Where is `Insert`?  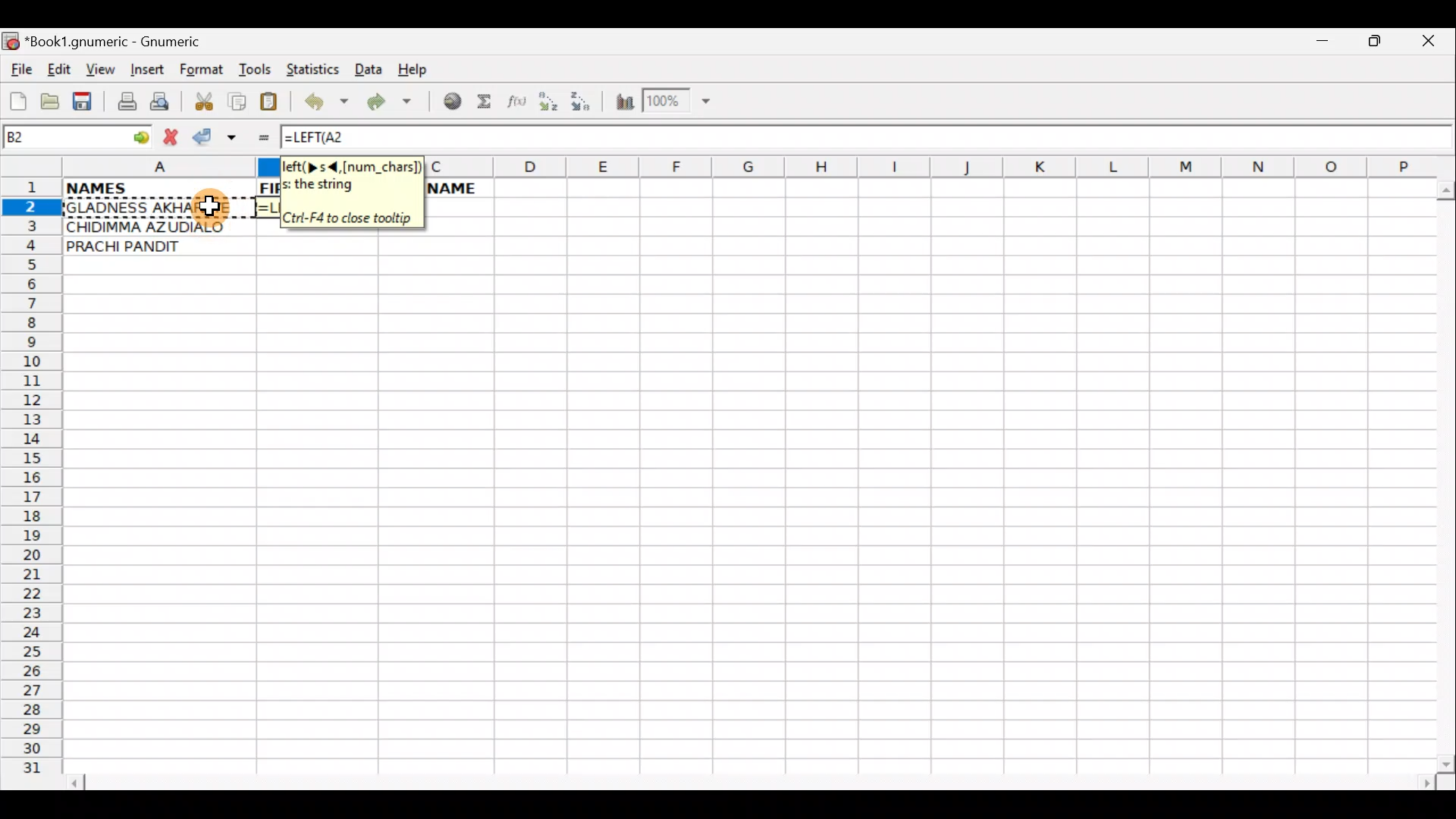 Insert is located at coordinates (146, 70).